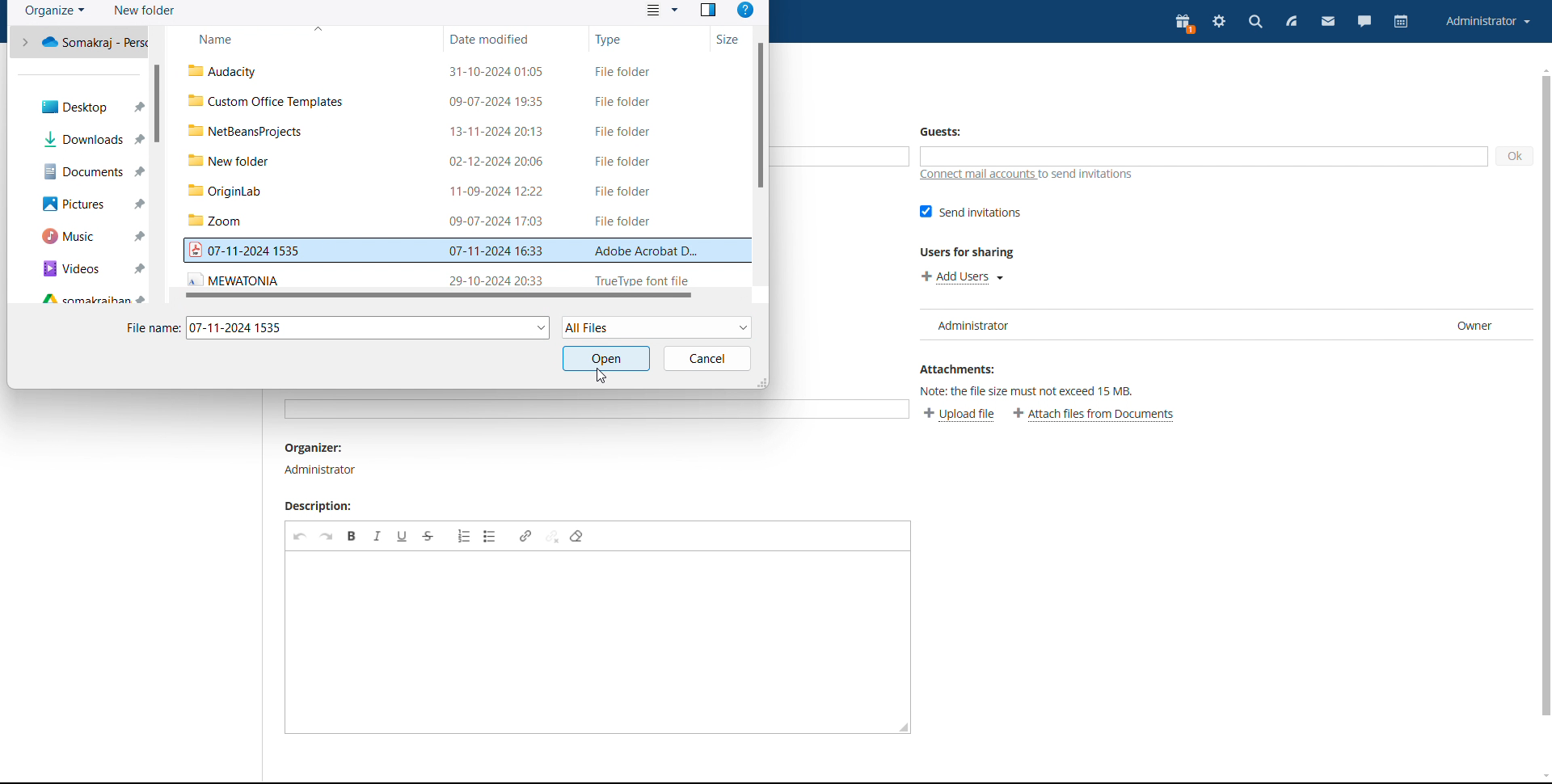 The height and width of the screenshot is (784, 1552). What do you see at coordinates (960, 278) in the screenshot?
I see `add users` at bounding box center [960, 278].